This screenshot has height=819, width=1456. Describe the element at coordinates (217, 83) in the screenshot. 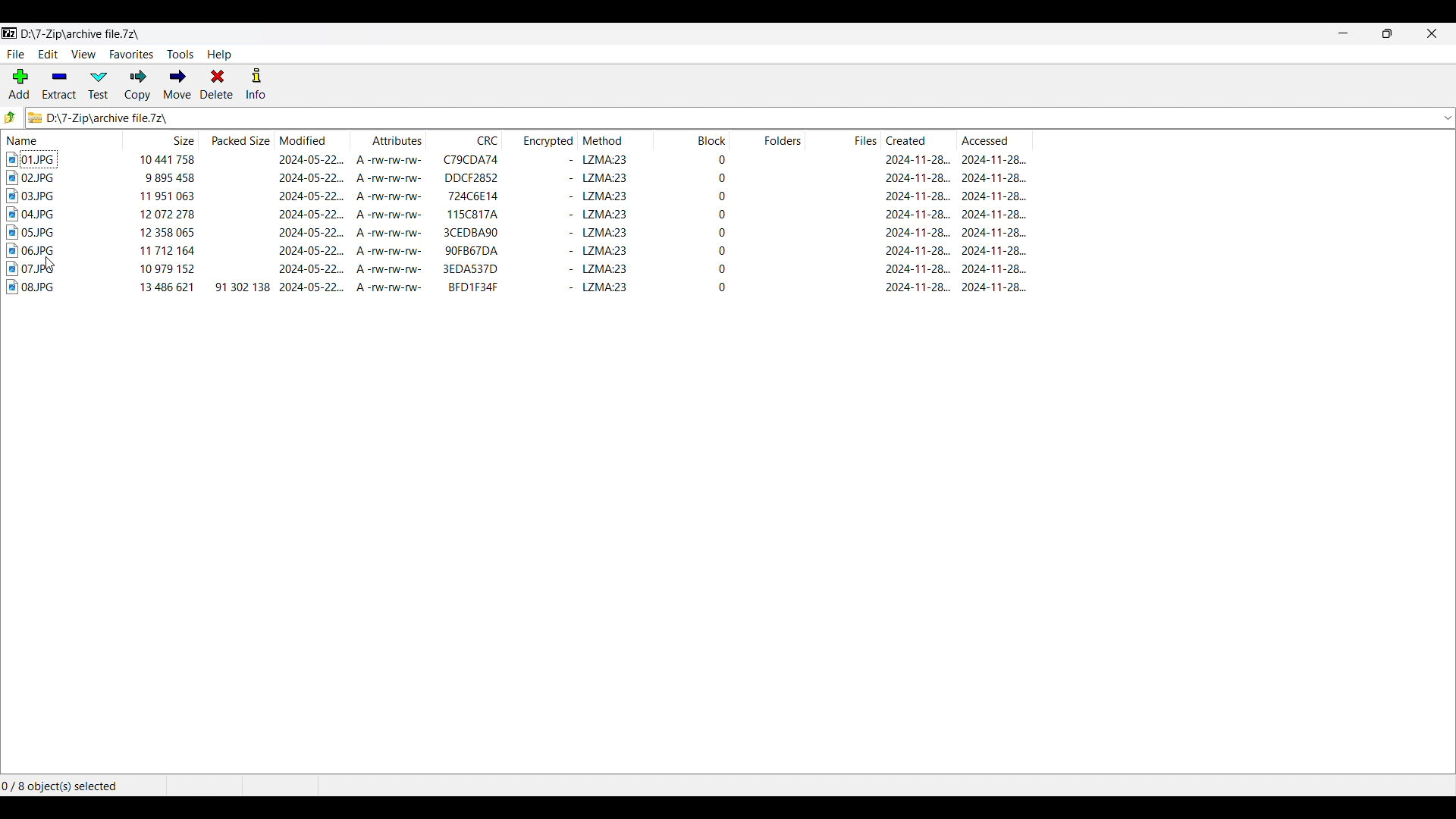

I see `Delete` at that location.